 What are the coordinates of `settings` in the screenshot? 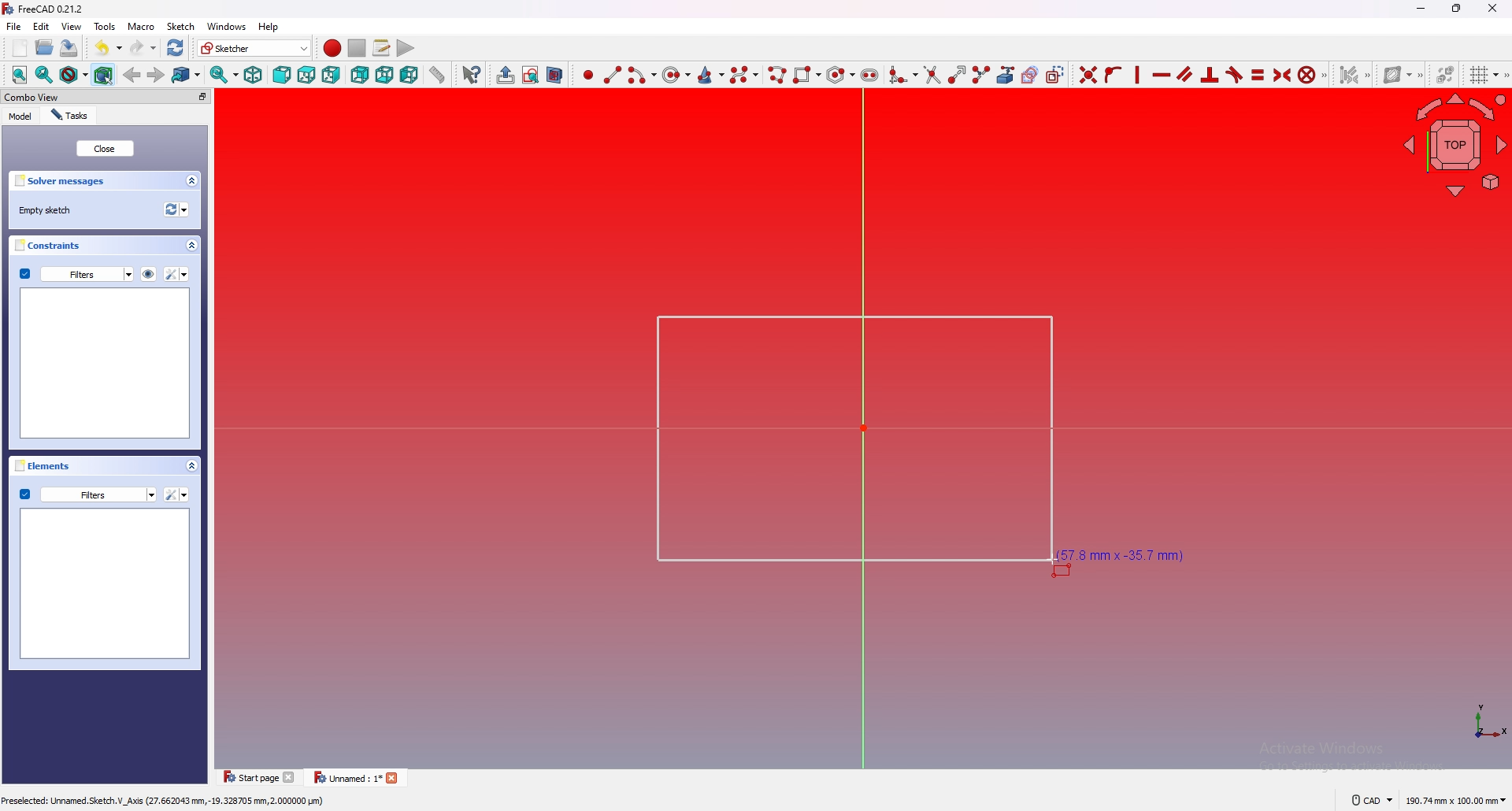 It's located at (176, 274).